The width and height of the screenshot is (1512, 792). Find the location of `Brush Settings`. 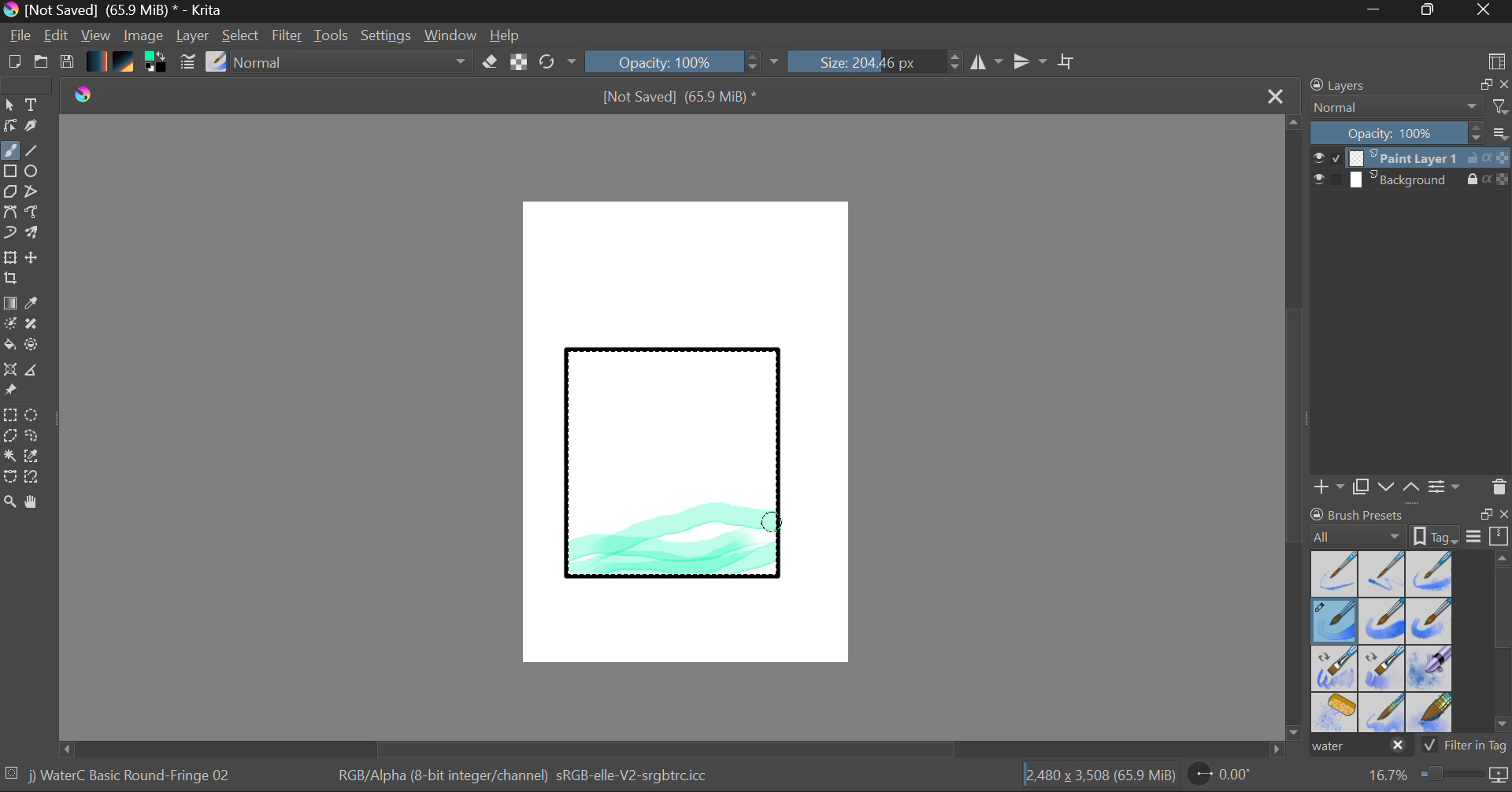

Brush Settings is located at coordinates (186, 63).